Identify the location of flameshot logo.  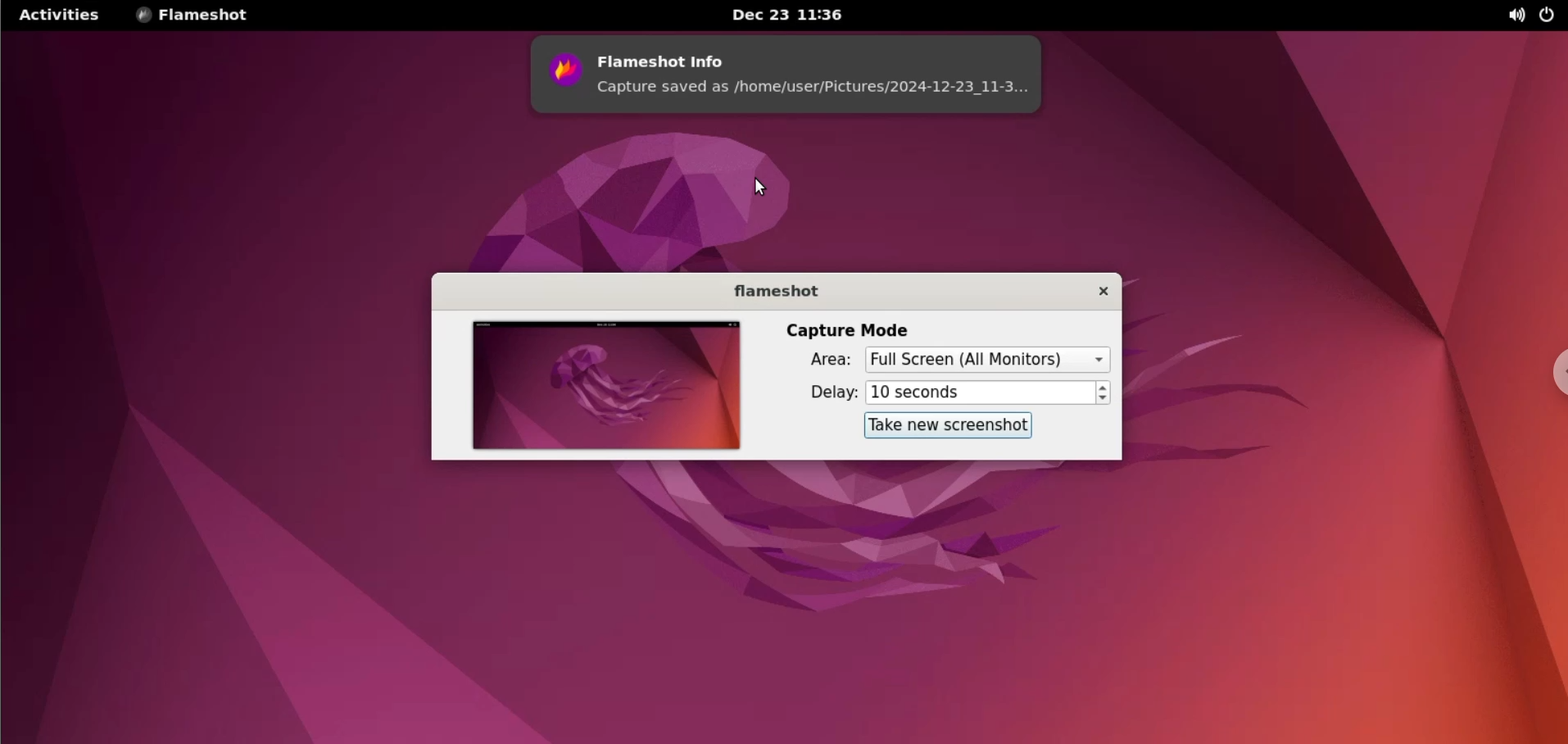
(562, 74).